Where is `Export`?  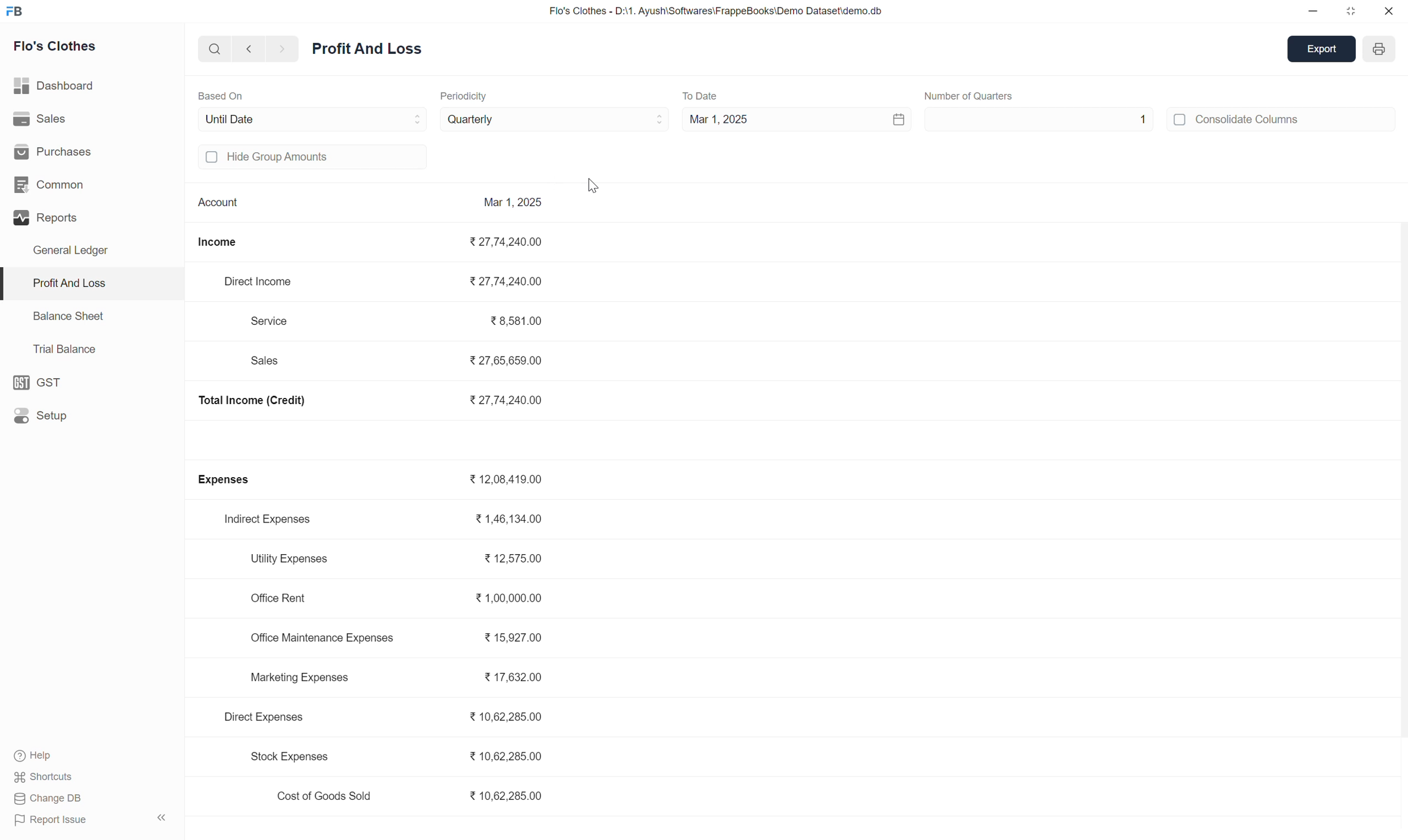 Export is located at coordinates (1320, 49).